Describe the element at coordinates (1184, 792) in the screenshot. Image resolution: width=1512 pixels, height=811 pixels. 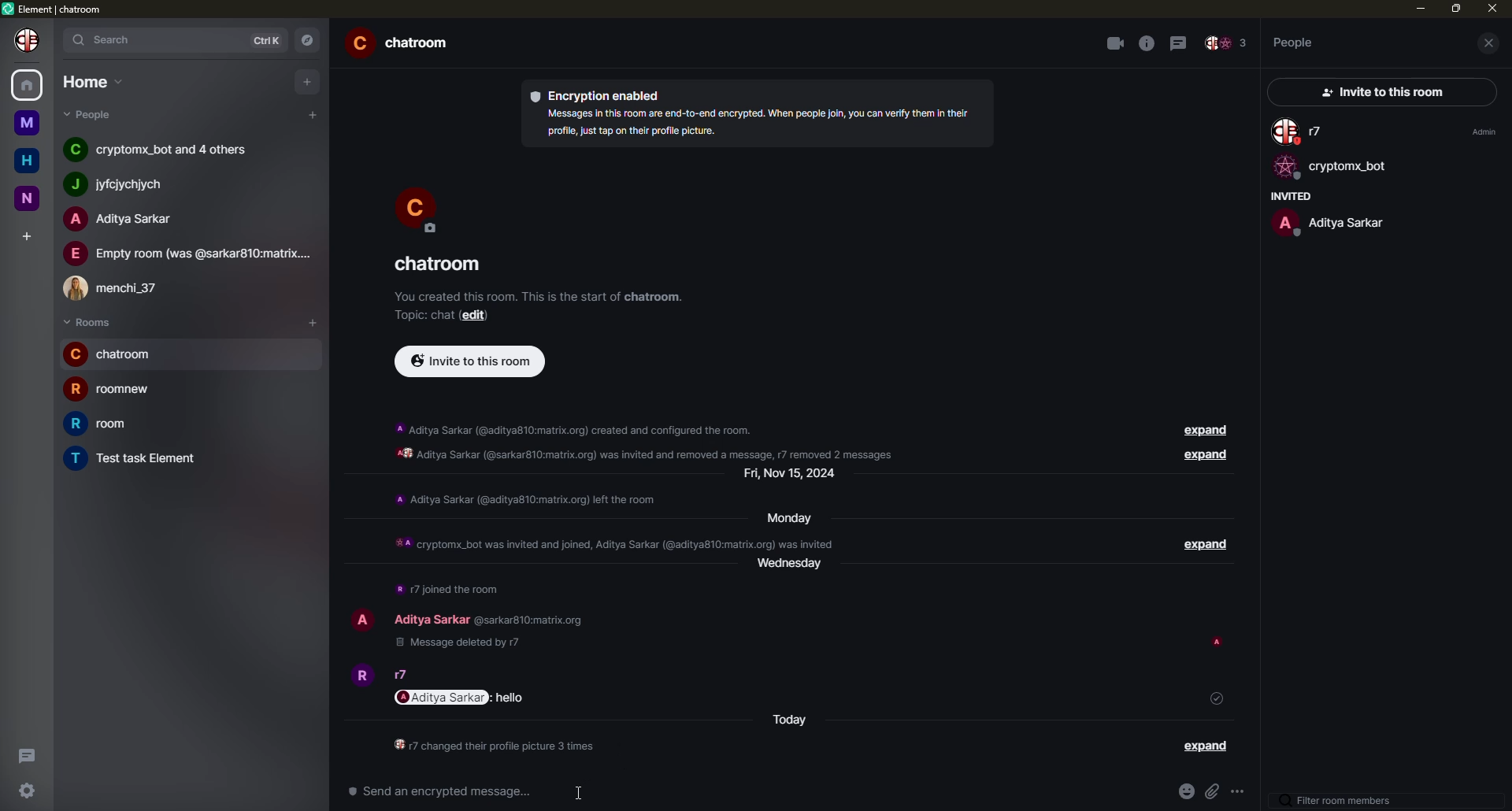
I see `emoji` at that location.